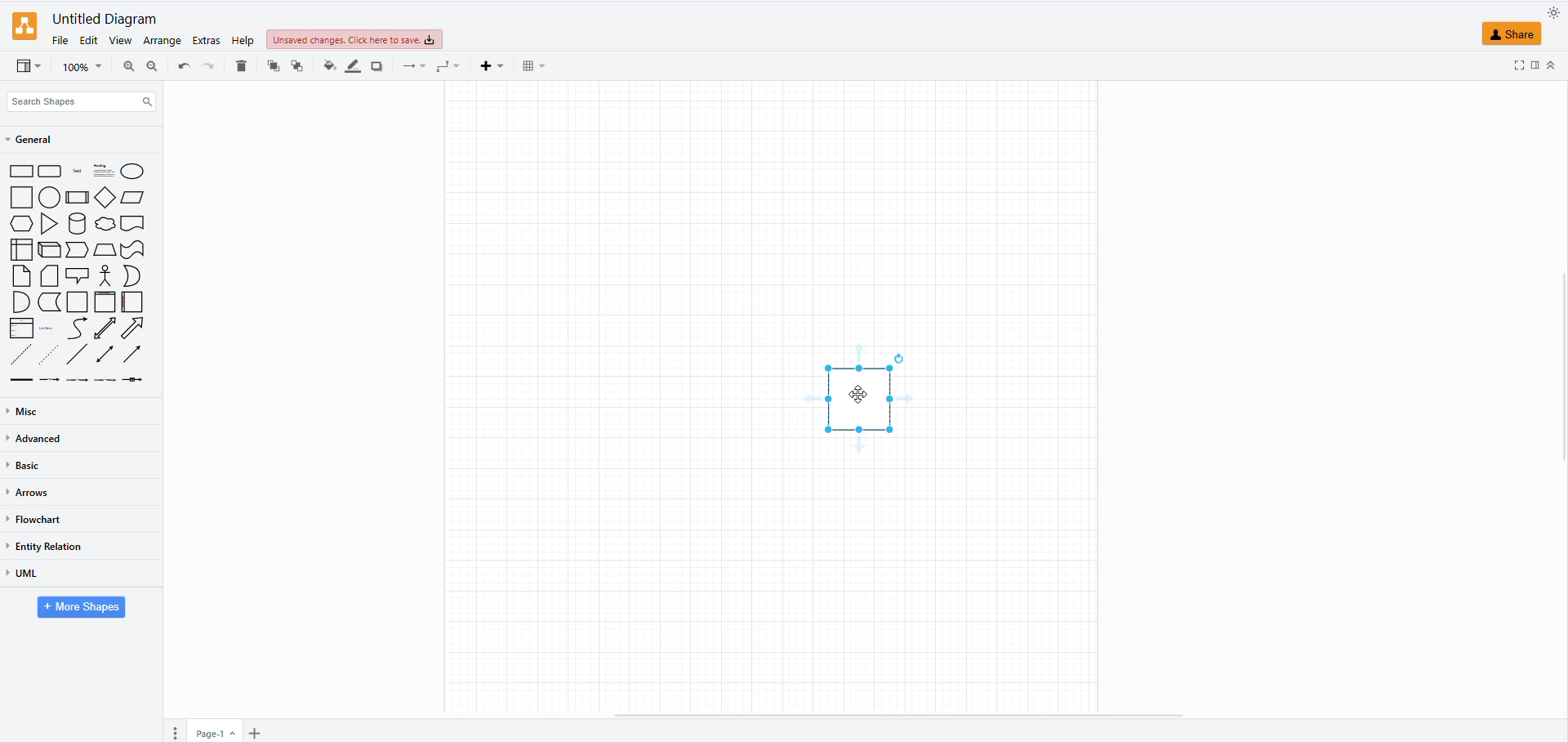 The image size is (1568, 742). Describe the element at coordinates (274, 66) in the screenshot. I see `to back` at that location.